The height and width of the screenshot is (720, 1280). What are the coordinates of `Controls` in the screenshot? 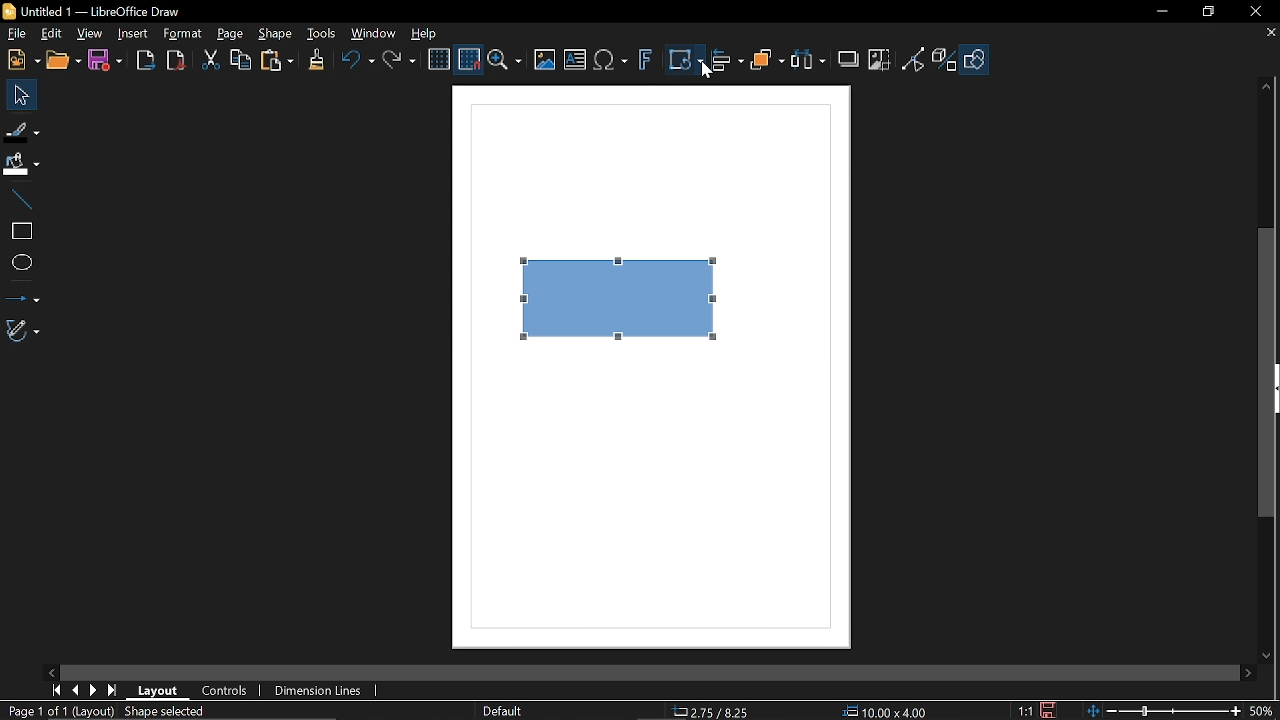 It's located at (226, 690).